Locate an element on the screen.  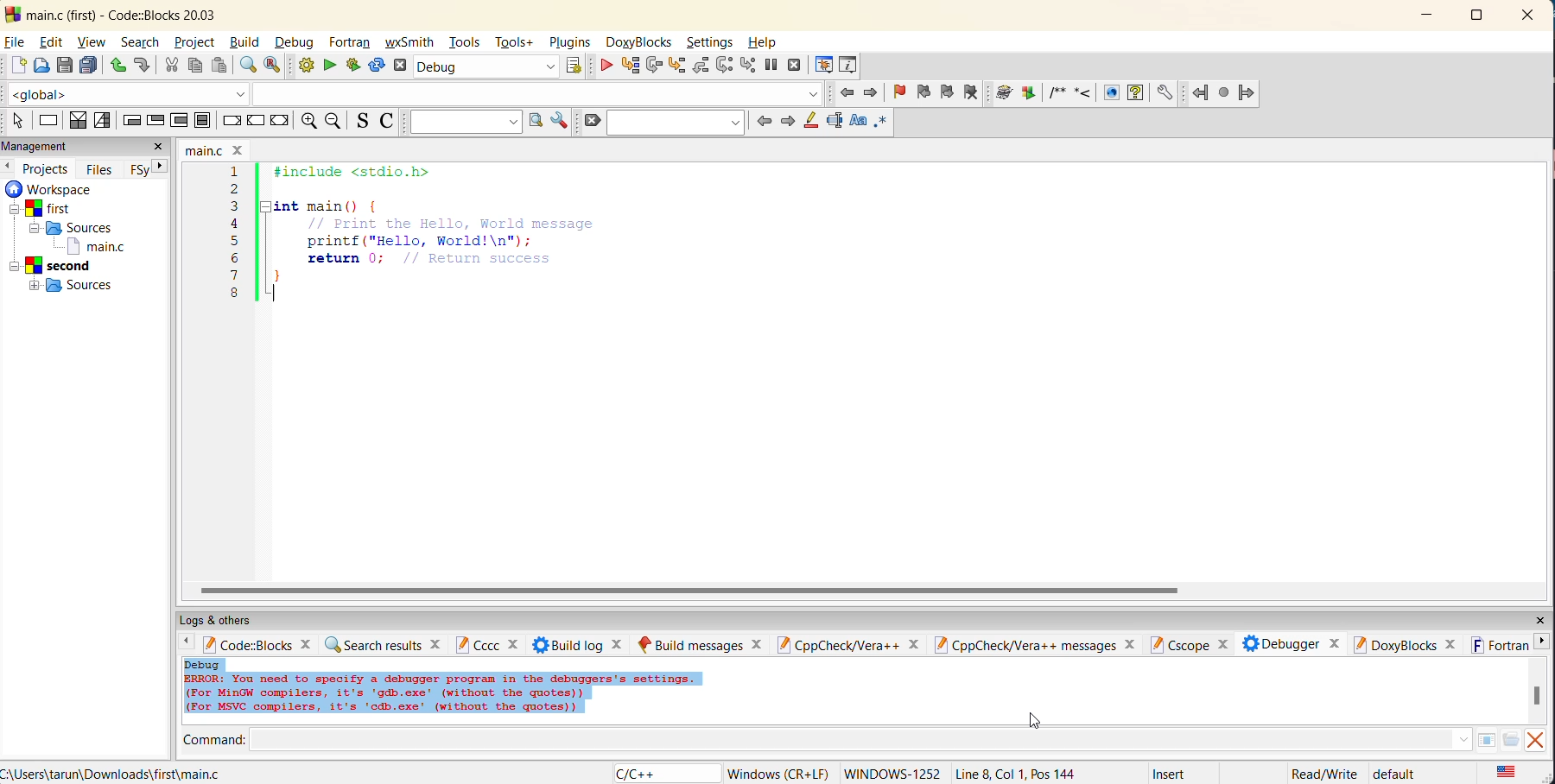
previous bookmark is located at coordinates (923, 90).